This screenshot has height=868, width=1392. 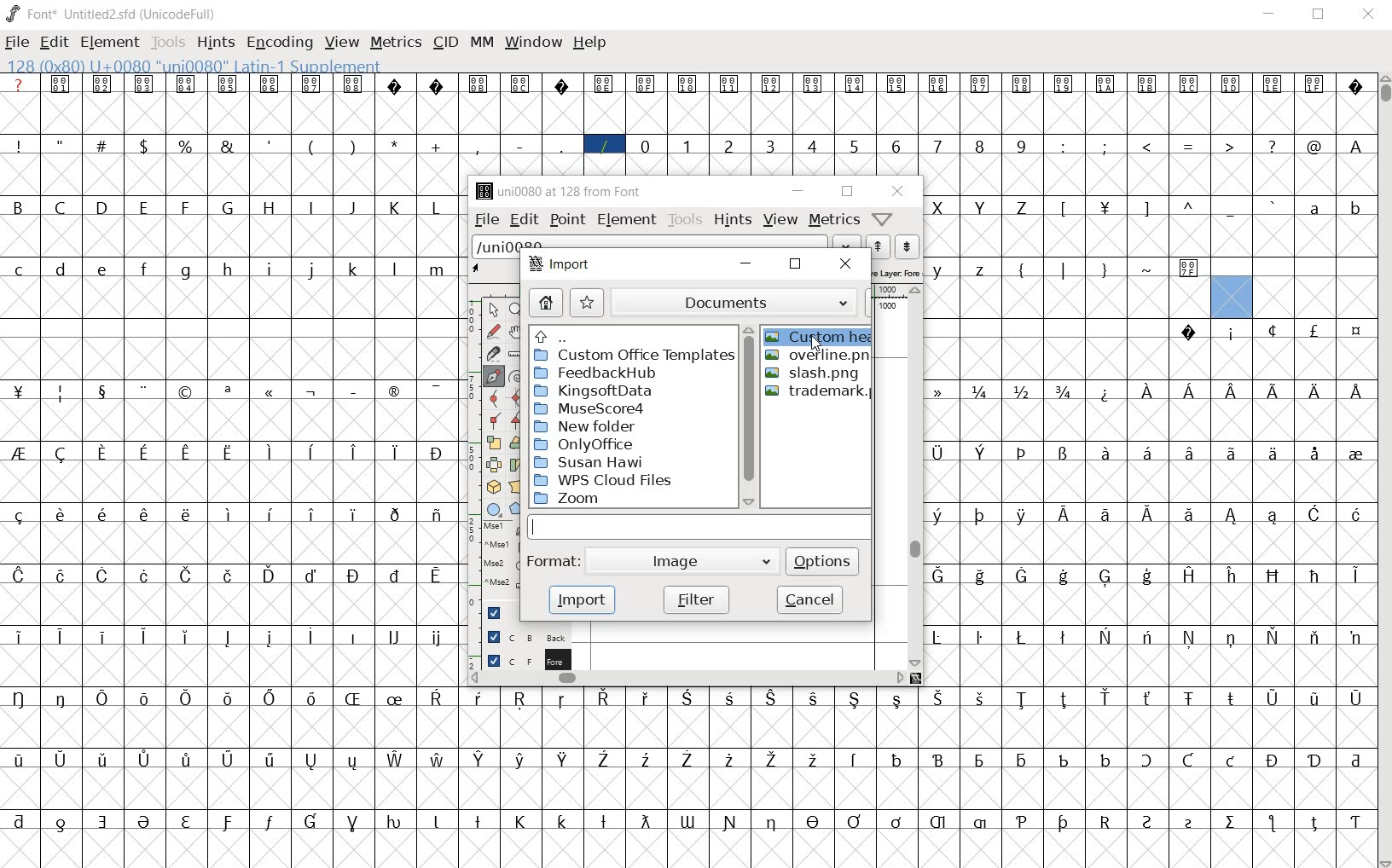 What do you see at coordinates (395, 208) in the screenshot?
I see `glyph` at bounding box center [395, 208].